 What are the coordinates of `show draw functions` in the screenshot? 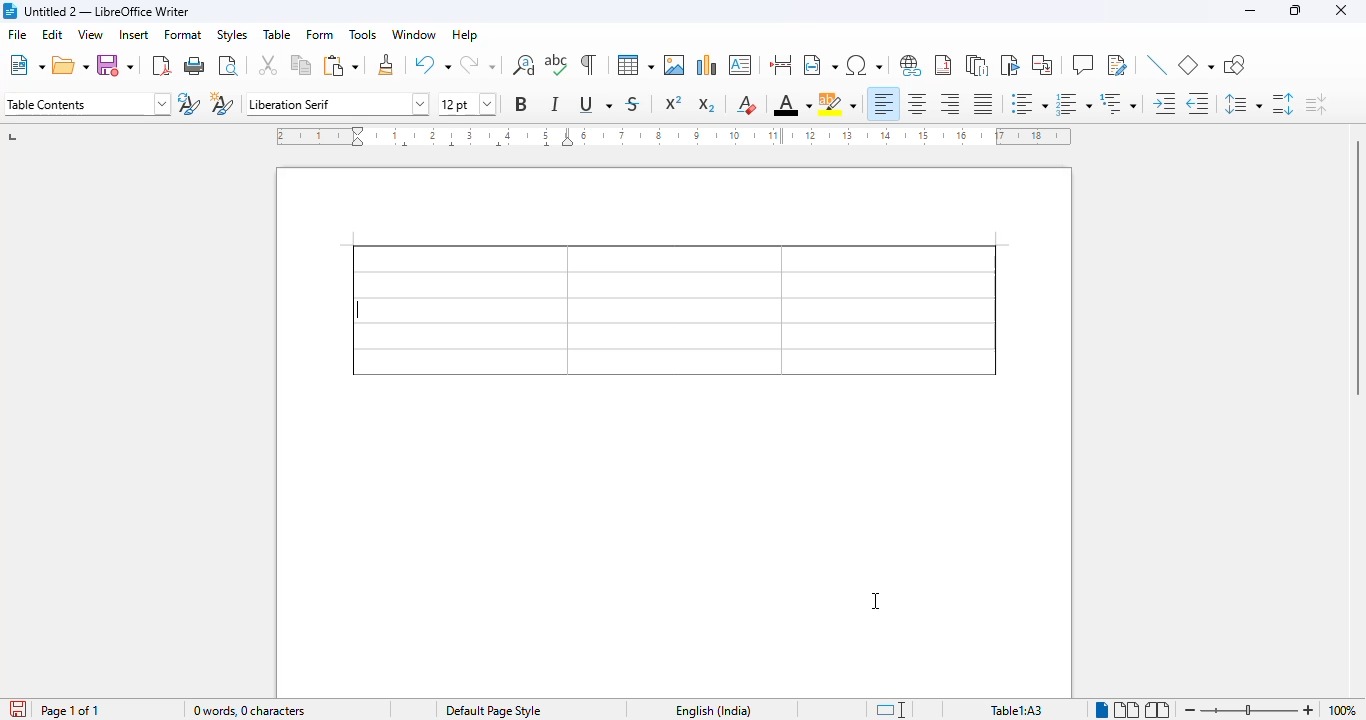 It's located at (1233, 64).